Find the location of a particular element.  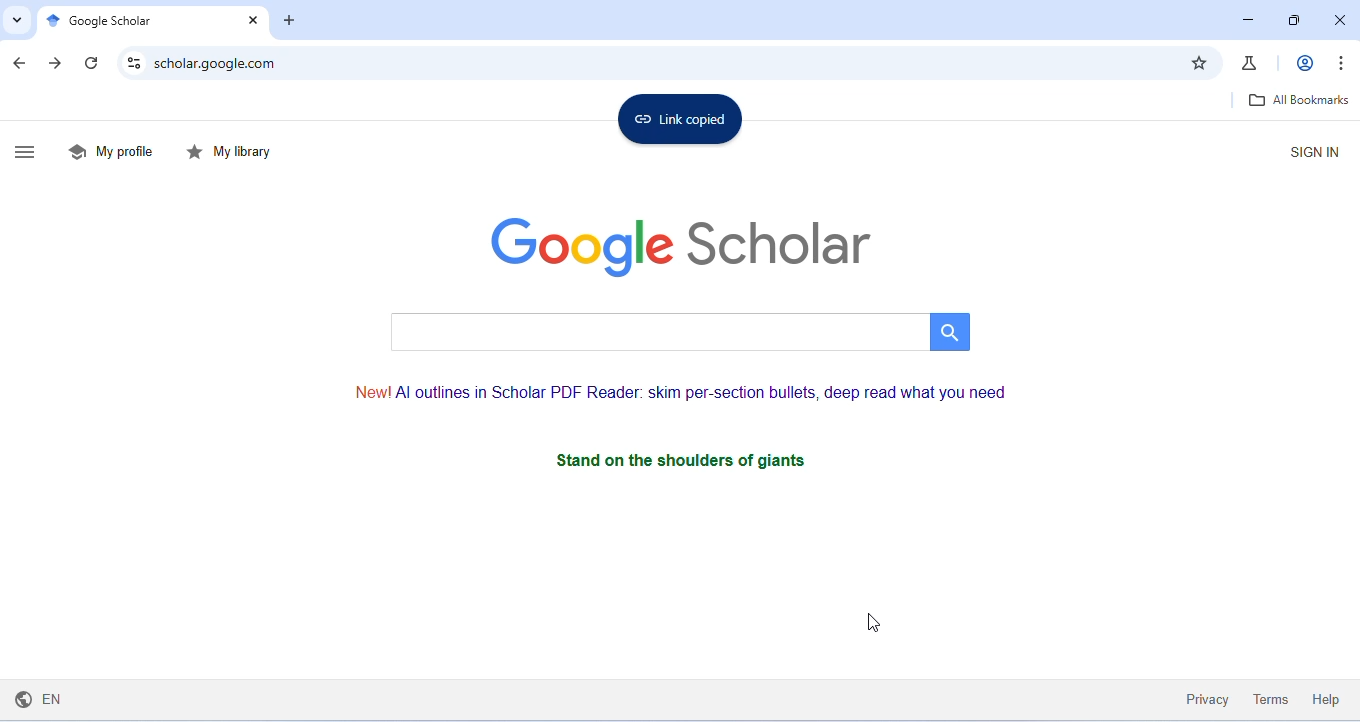

refresh is located at coordinates (91, 64).